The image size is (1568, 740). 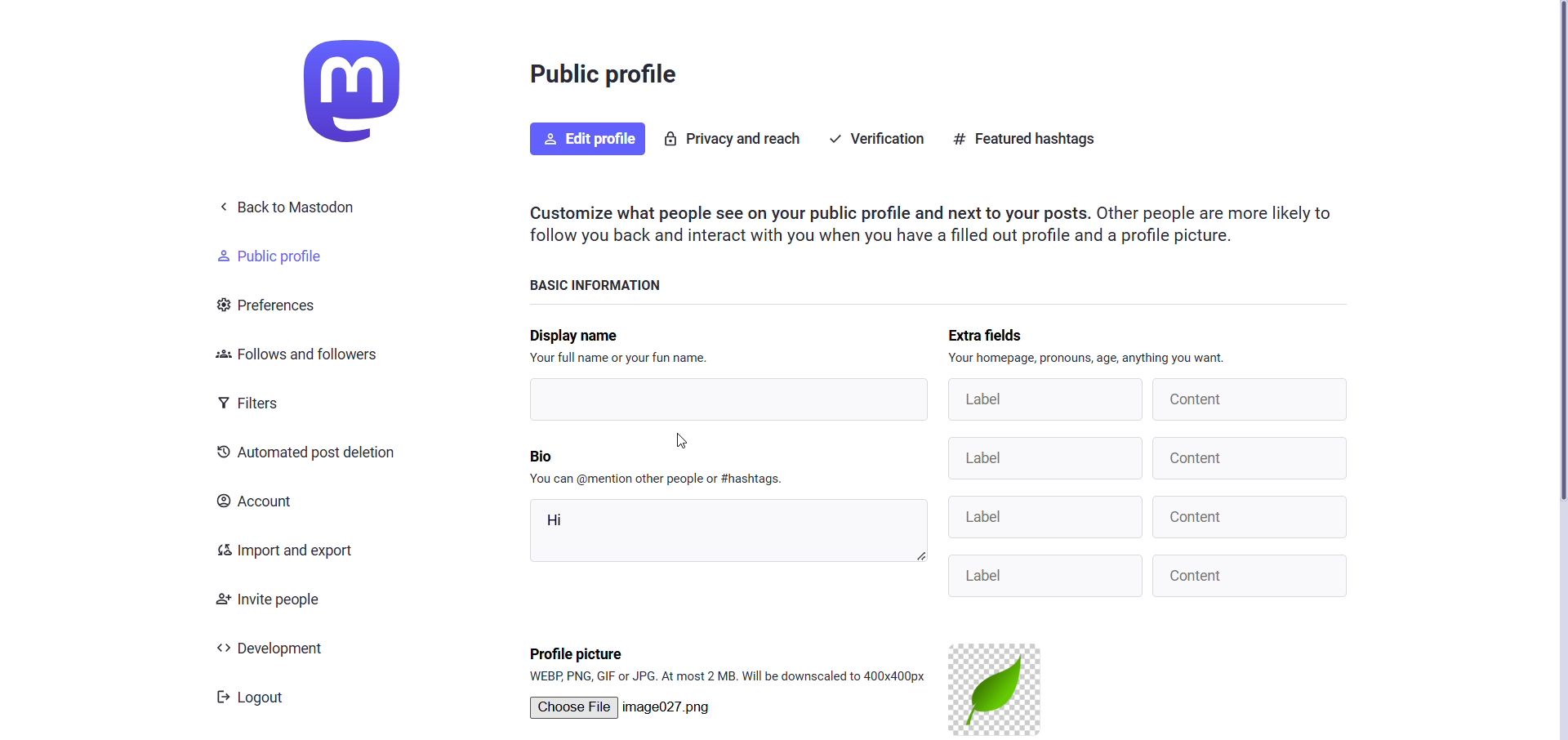 I want to click on automated post decision, so click(x=309, y=452).